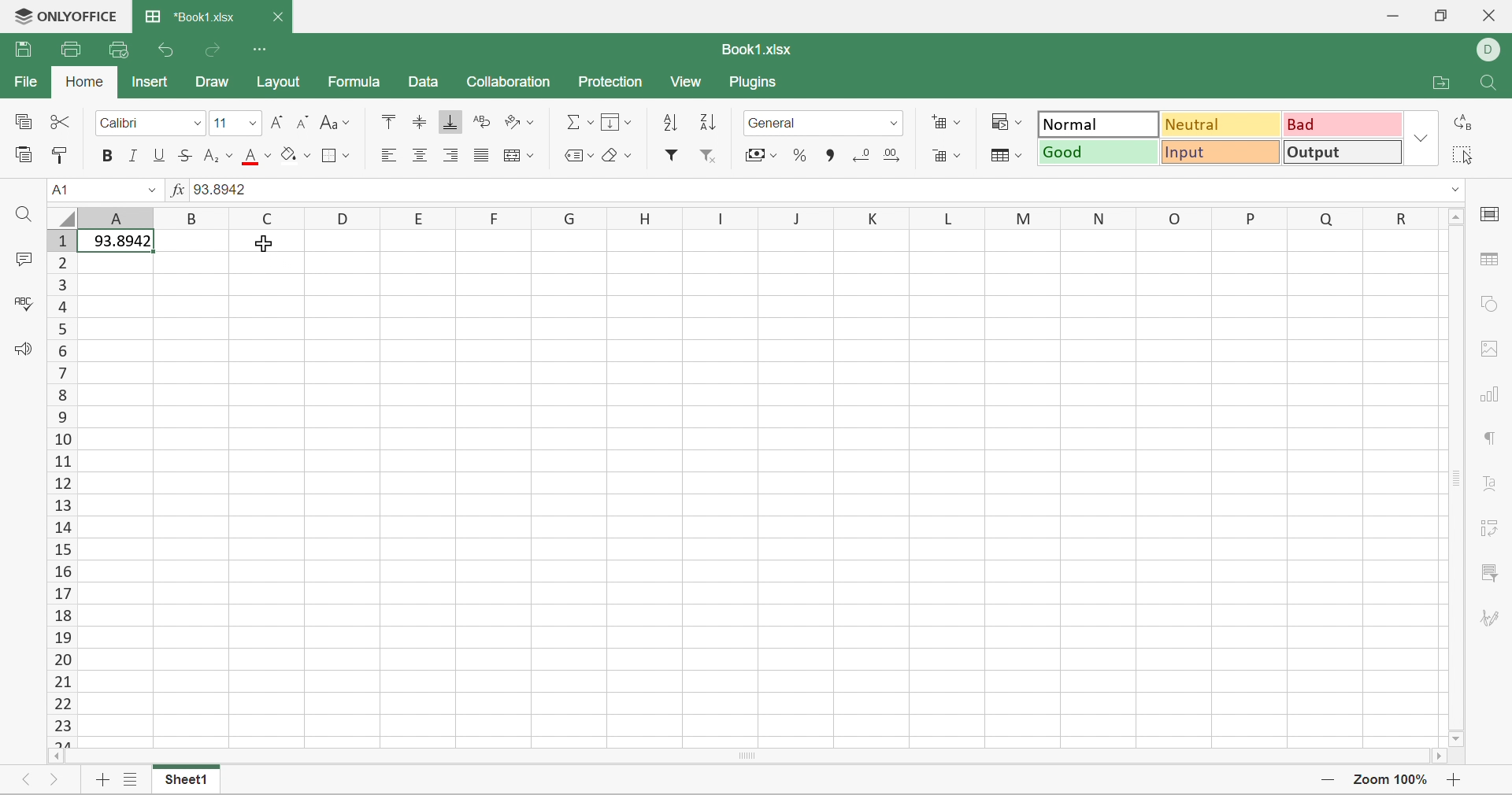 This screenshot has width=1512, height=795. Describe the element at coordinates (580, 121) in the screenshot. I see `Summation` at that location.